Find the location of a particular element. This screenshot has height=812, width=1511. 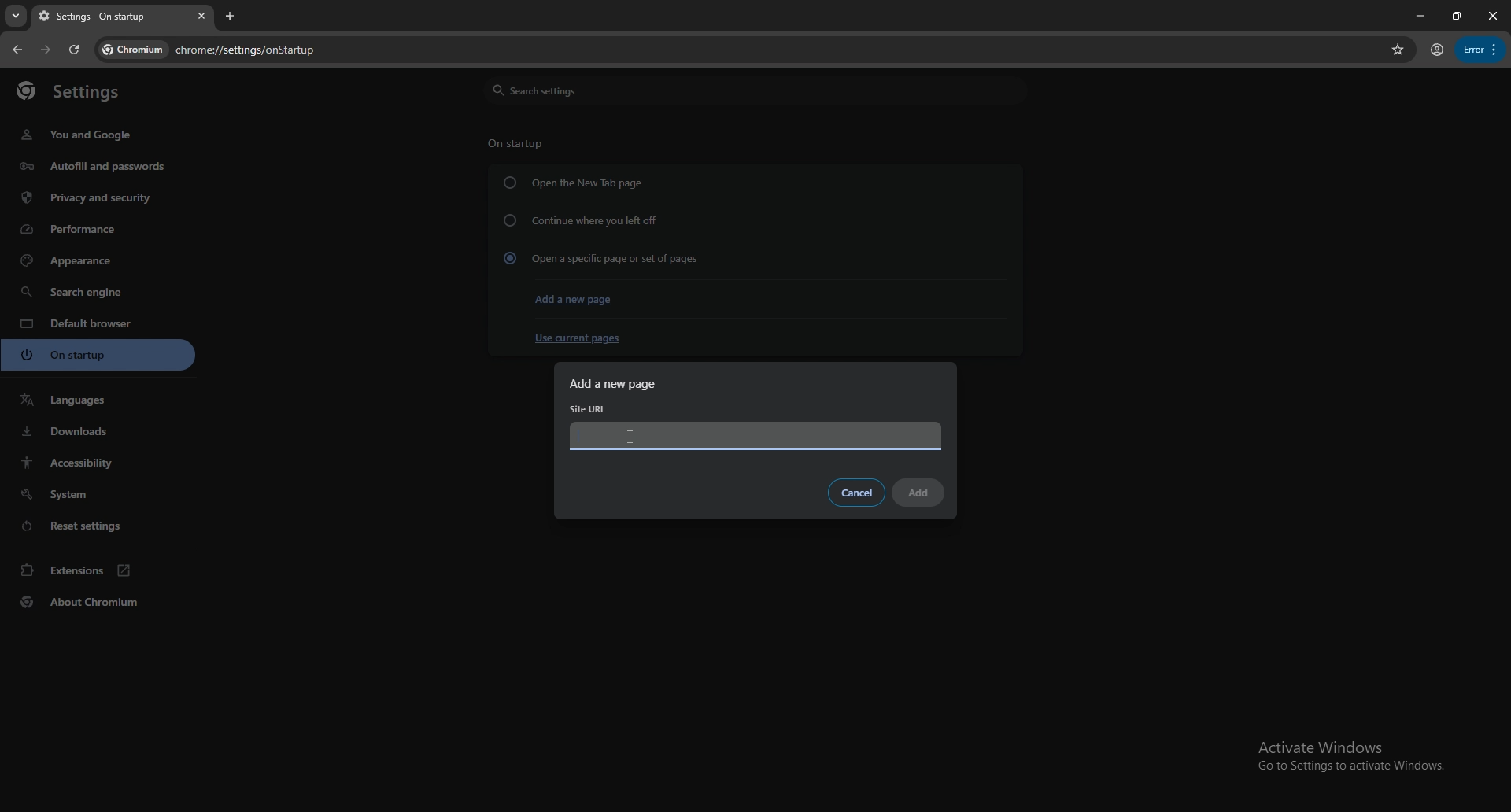

close is located at coordinates (1491, 16).